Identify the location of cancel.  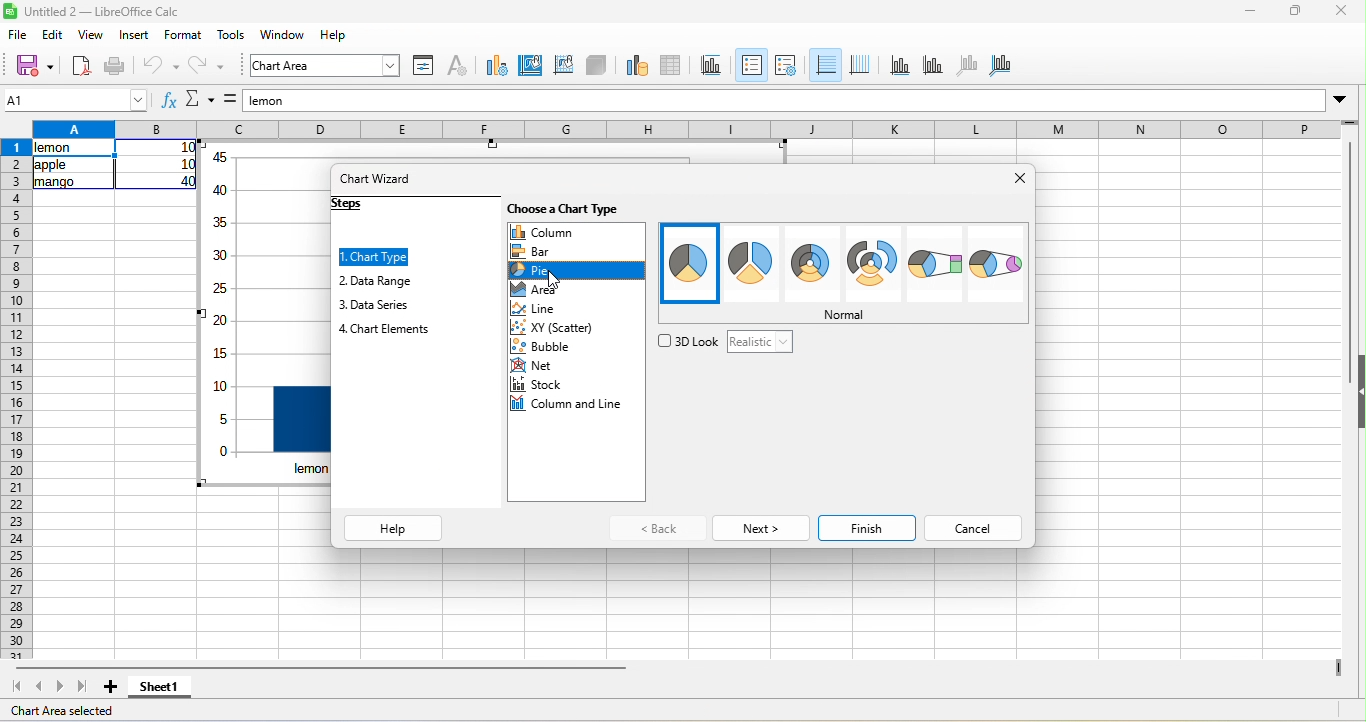
(975, 529).